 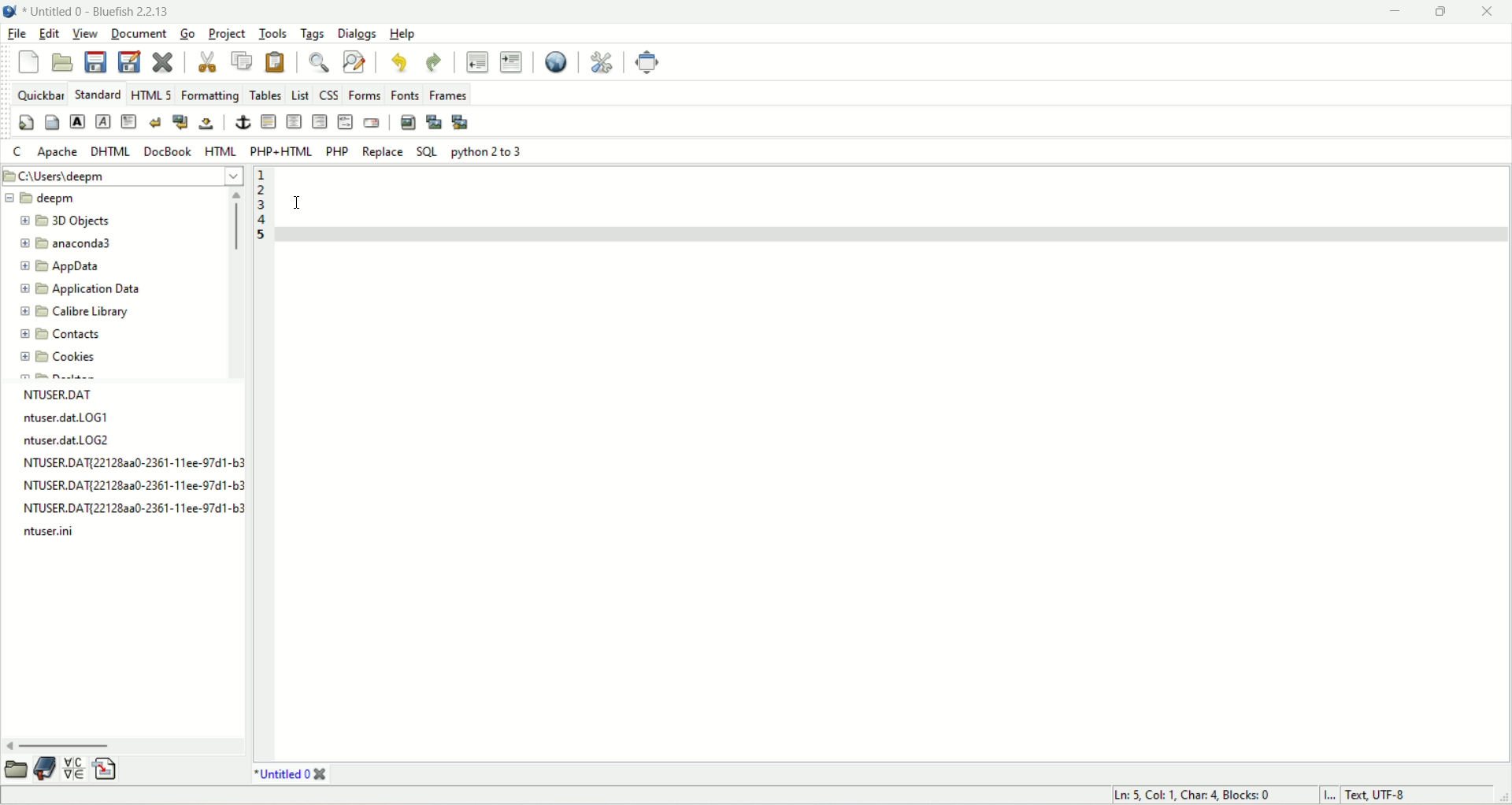 What do you see at coordinates (18, 35) in the screenshot?
I see `file` at bounding box center [18, 35].